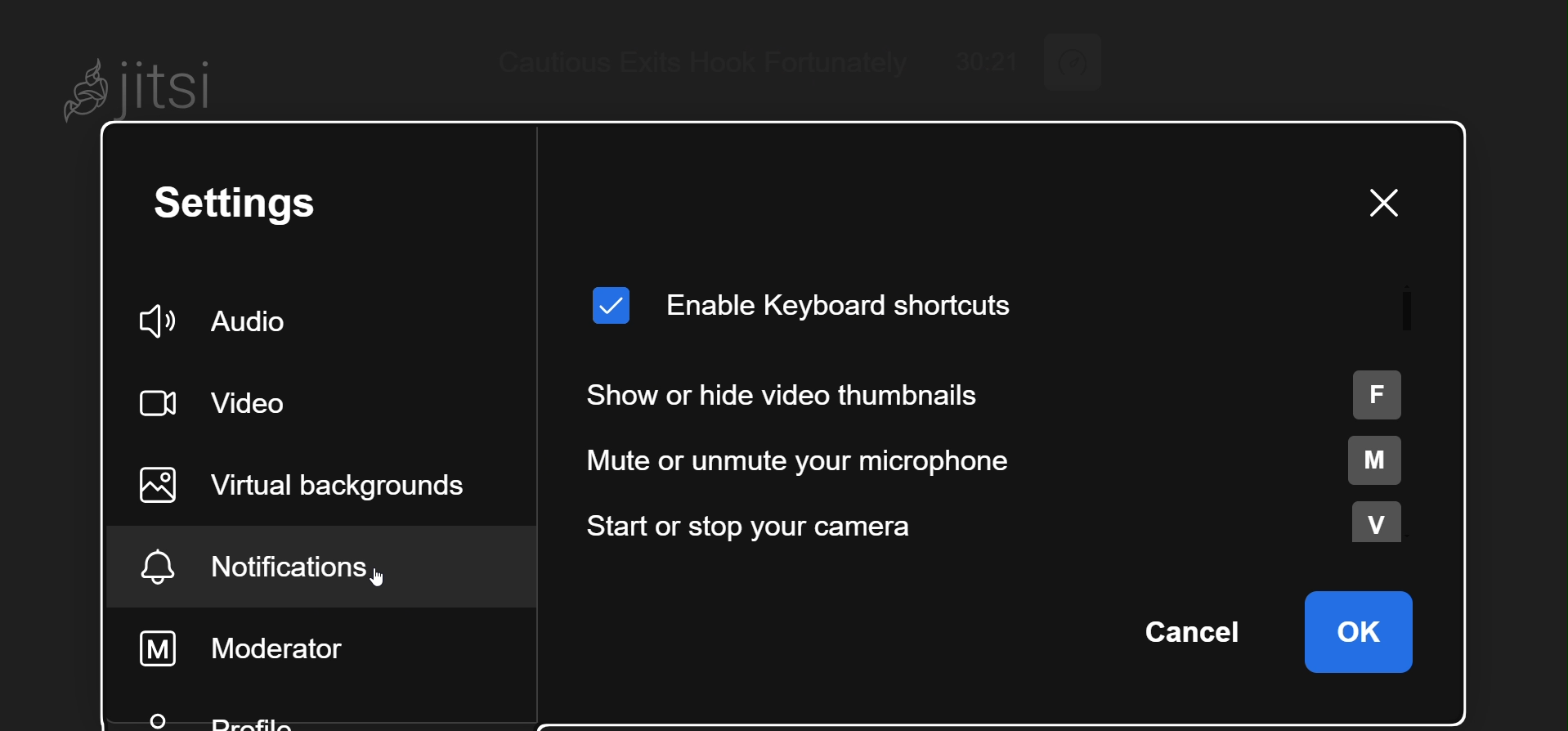 Image resolution: width=1568 pixels, height=731 pixels. What do you see at coordinates (226, 319) in the screenshot?
I see `audio` at bounding box center [226, 319].